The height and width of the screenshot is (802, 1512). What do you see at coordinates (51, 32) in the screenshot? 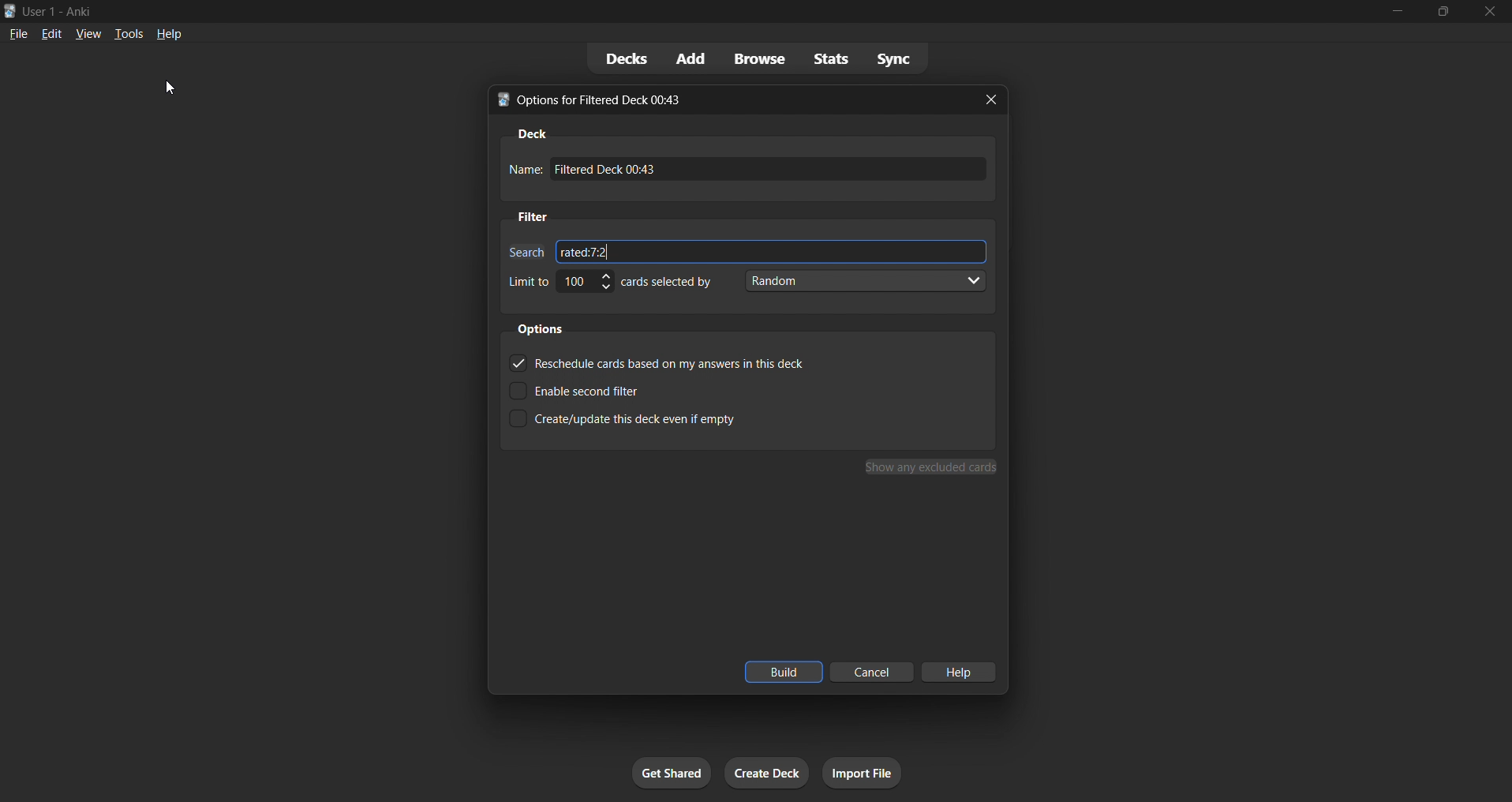
I see `edit` at bounding box center [51, 32].